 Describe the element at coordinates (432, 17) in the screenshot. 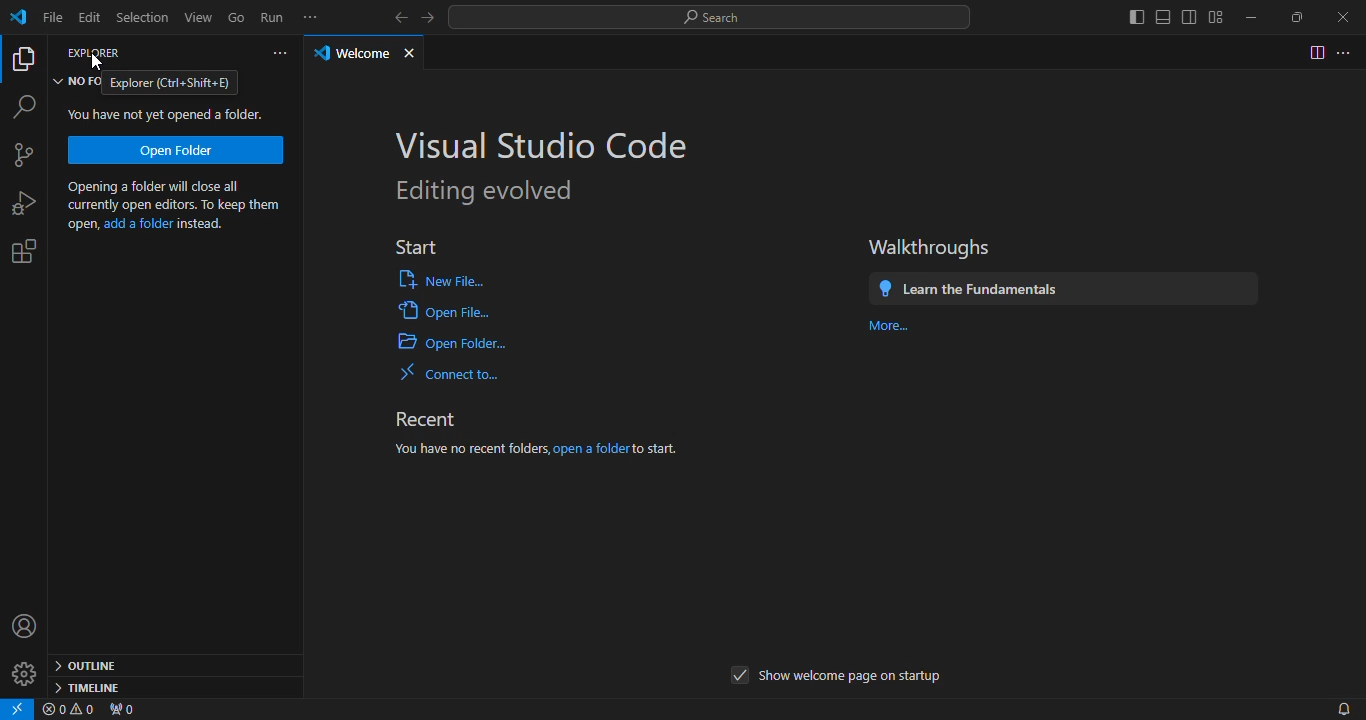

I see `next` at that location.